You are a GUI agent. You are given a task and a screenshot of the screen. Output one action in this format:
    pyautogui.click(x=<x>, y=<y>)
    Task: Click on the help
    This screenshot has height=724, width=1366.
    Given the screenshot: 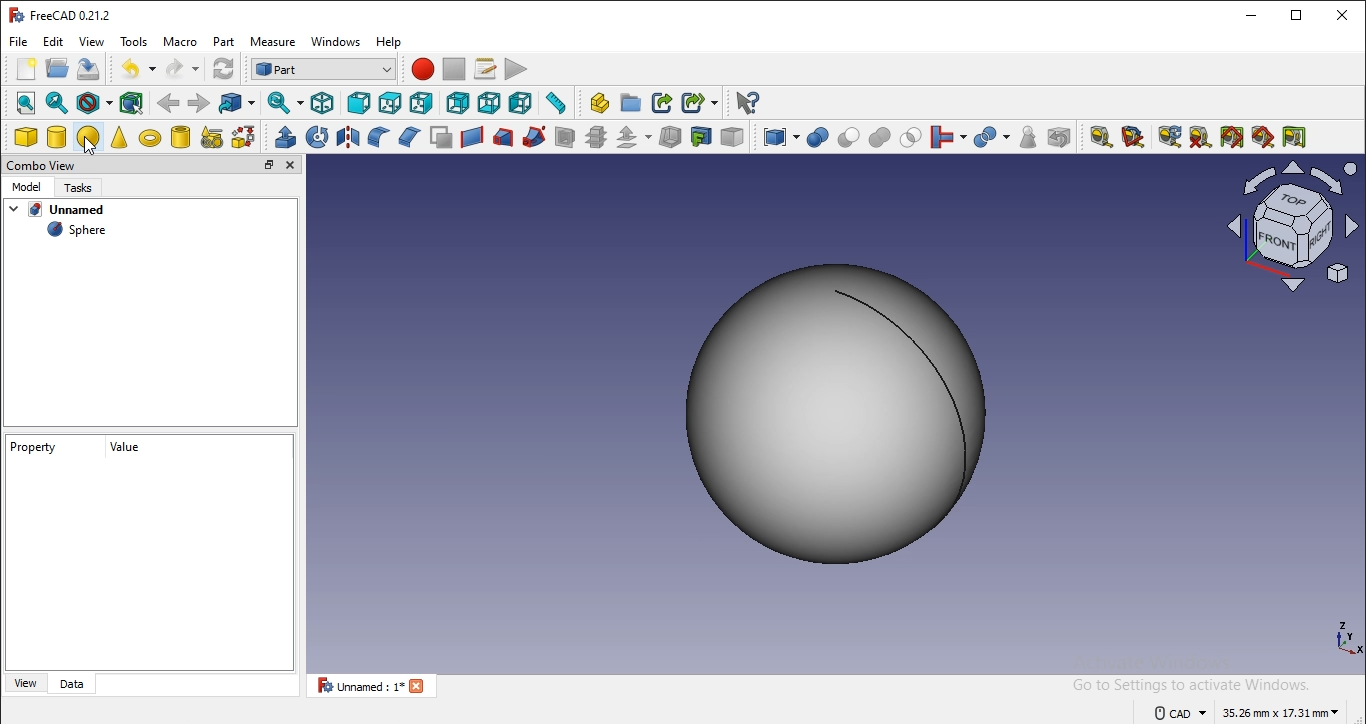 What is the action you would take?
    pyautogui.click(x=388, y=42)
    